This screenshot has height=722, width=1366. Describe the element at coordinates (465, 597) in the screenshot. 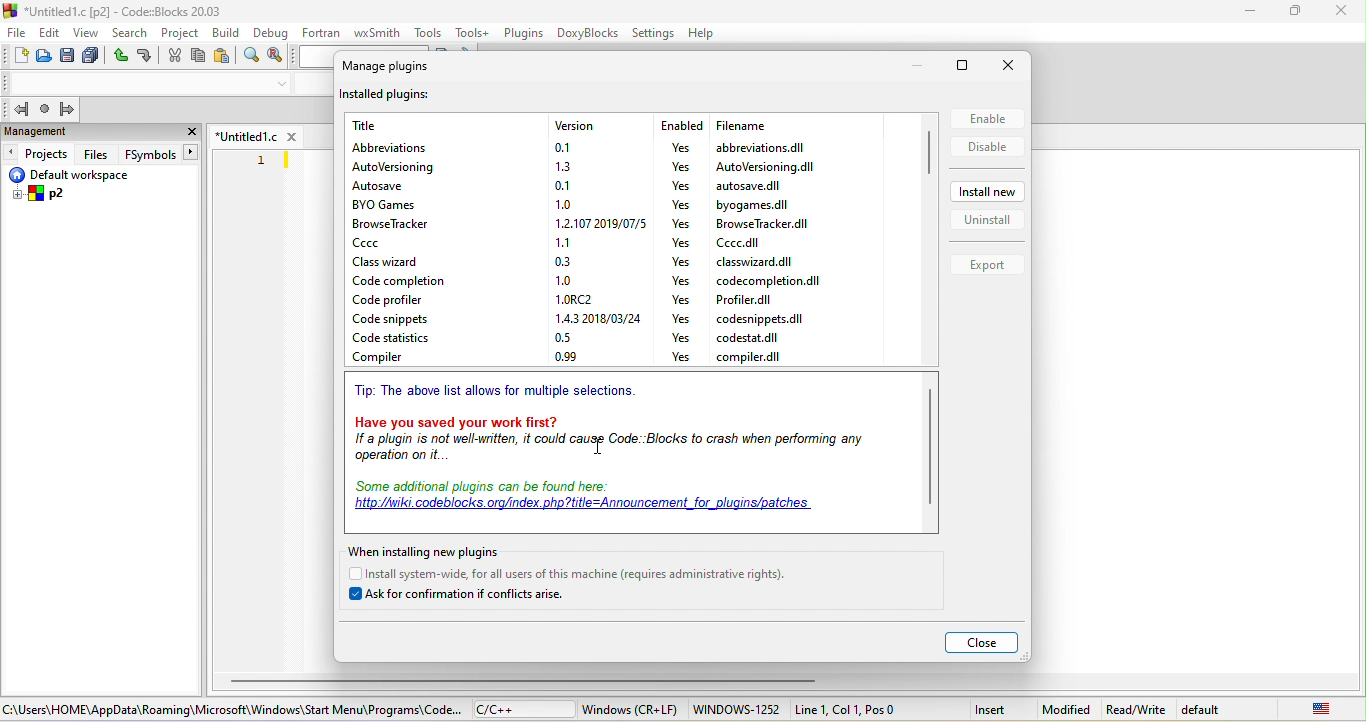

I see `ask for confirmation if conflicts arise` at that location.